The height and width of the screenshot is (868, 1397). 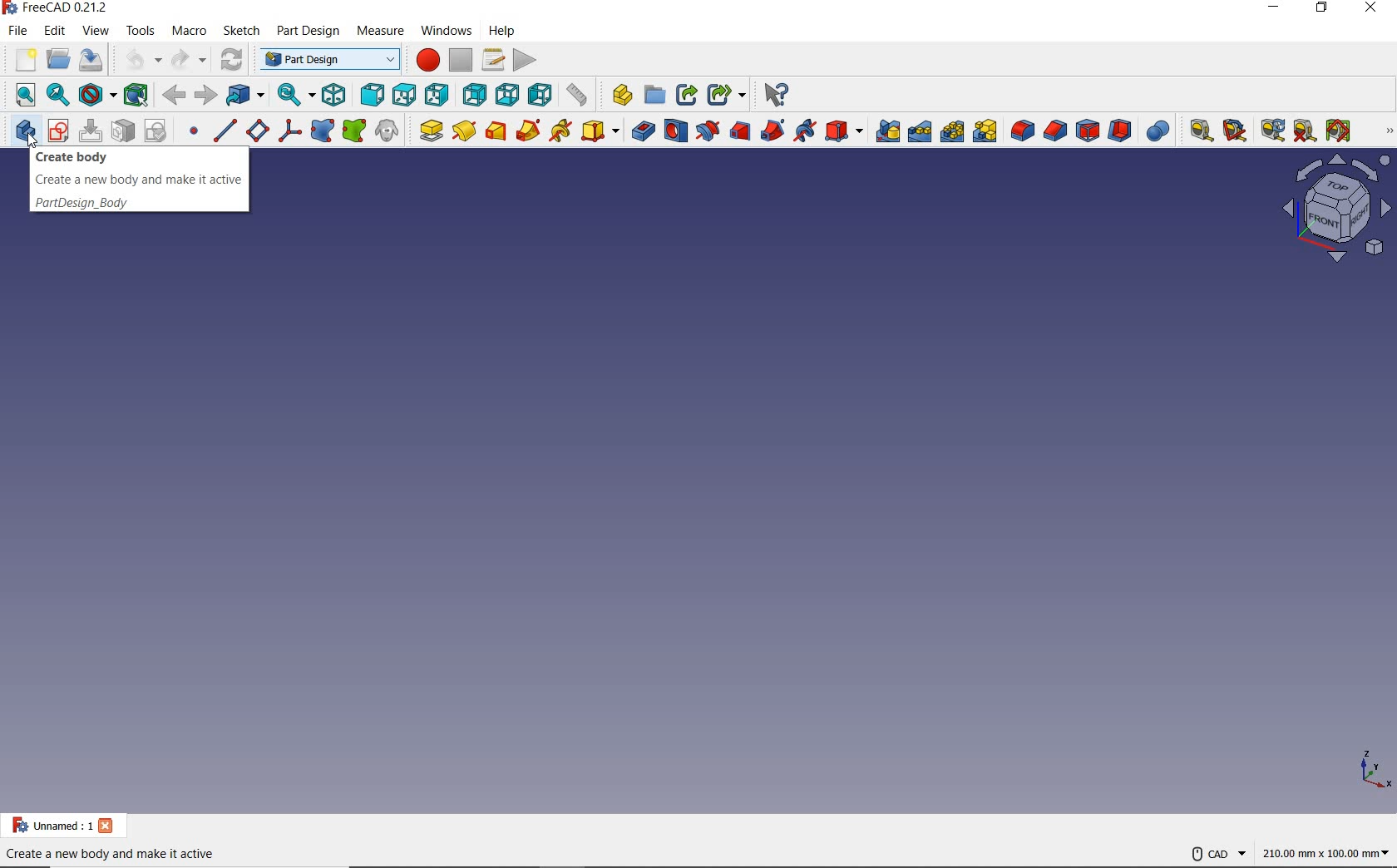 What do you see at coordinates (27, 142) in the screenshot?
I see `cursor` at bounding box center [27, 142].